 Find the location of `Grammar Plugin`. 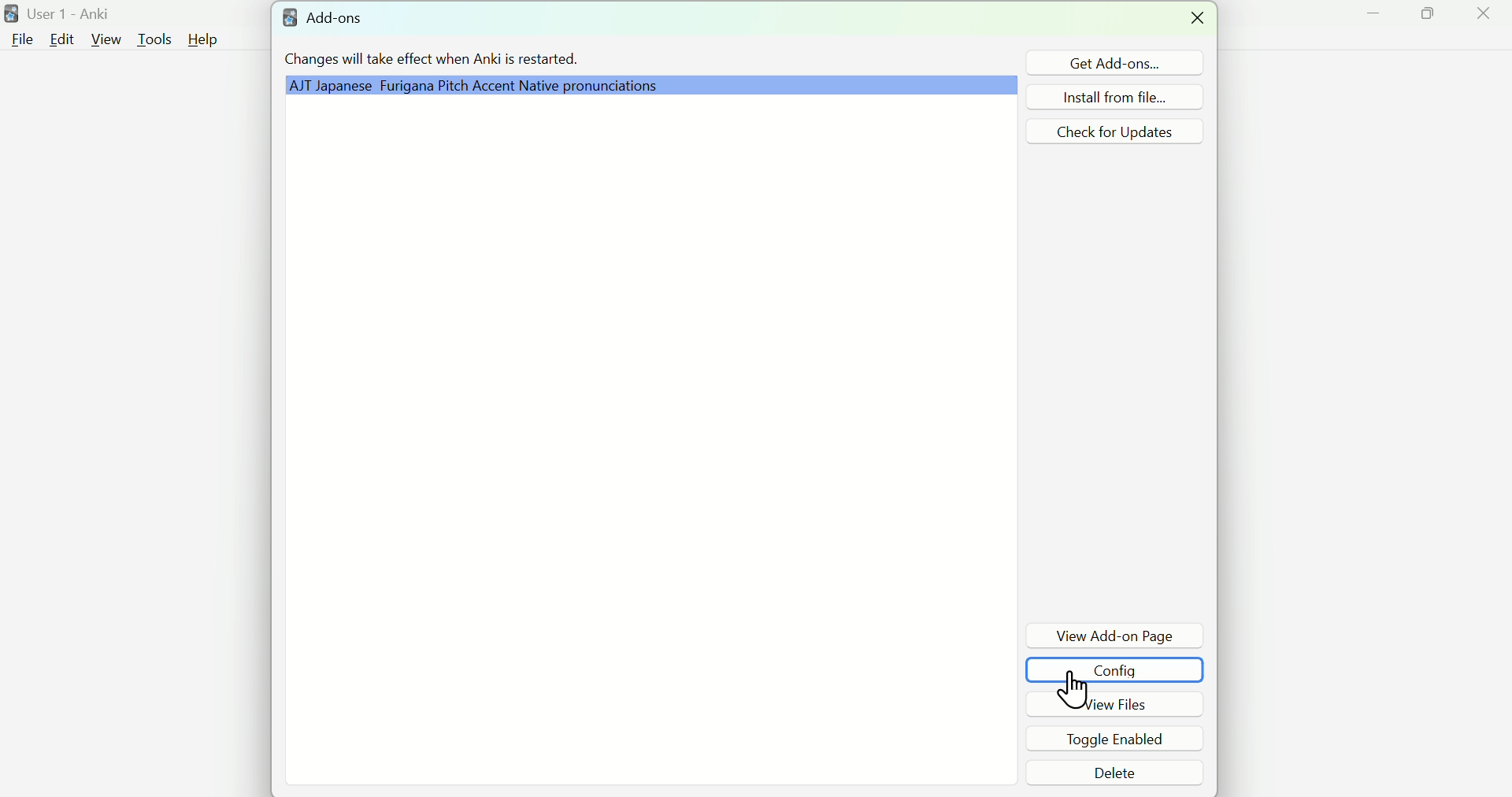

Grammar Plugin is located at coordinates (647, 84).